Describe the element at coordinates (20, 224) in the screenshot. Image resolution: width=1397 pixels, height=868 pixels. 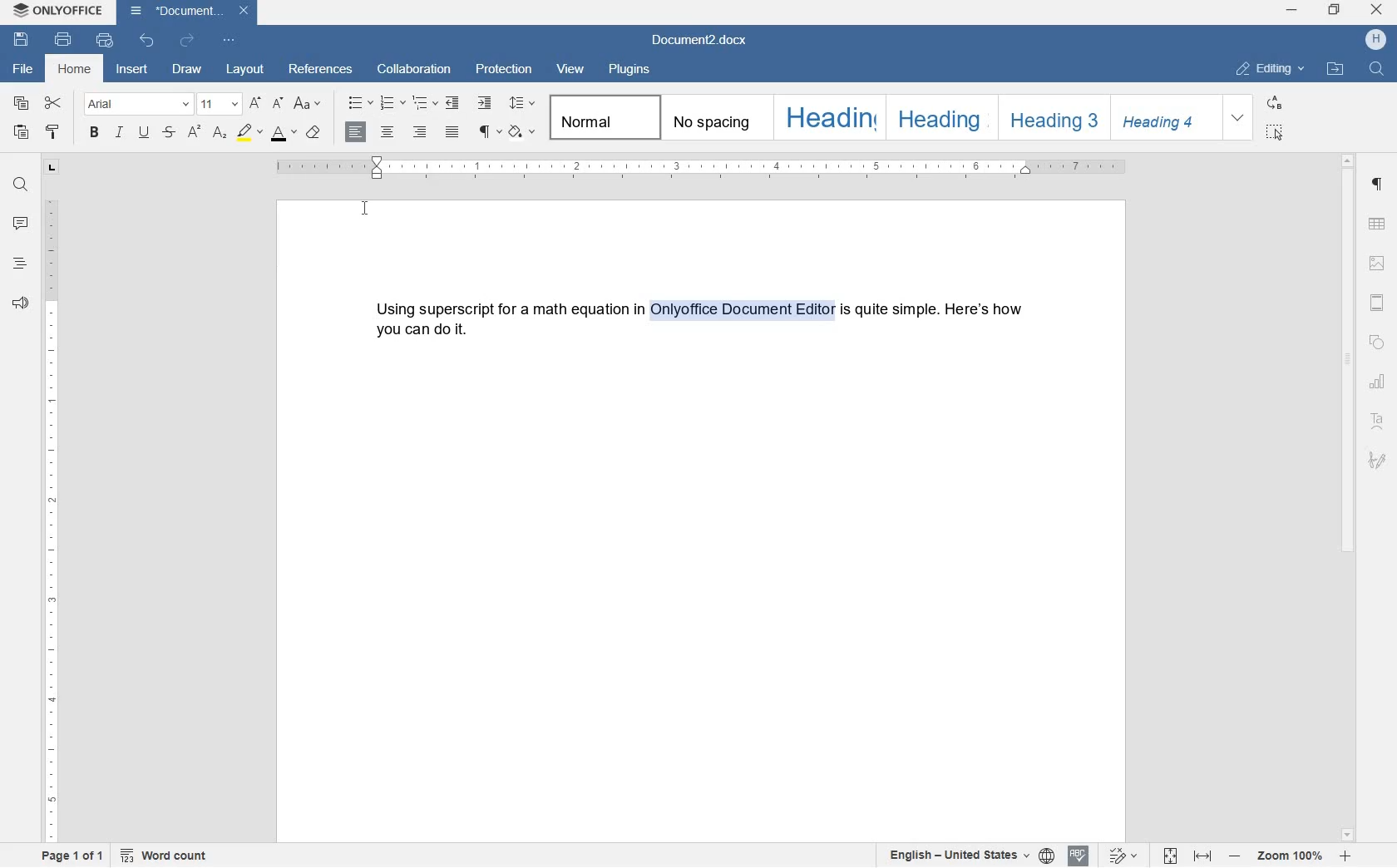
I see `comment` at that location.